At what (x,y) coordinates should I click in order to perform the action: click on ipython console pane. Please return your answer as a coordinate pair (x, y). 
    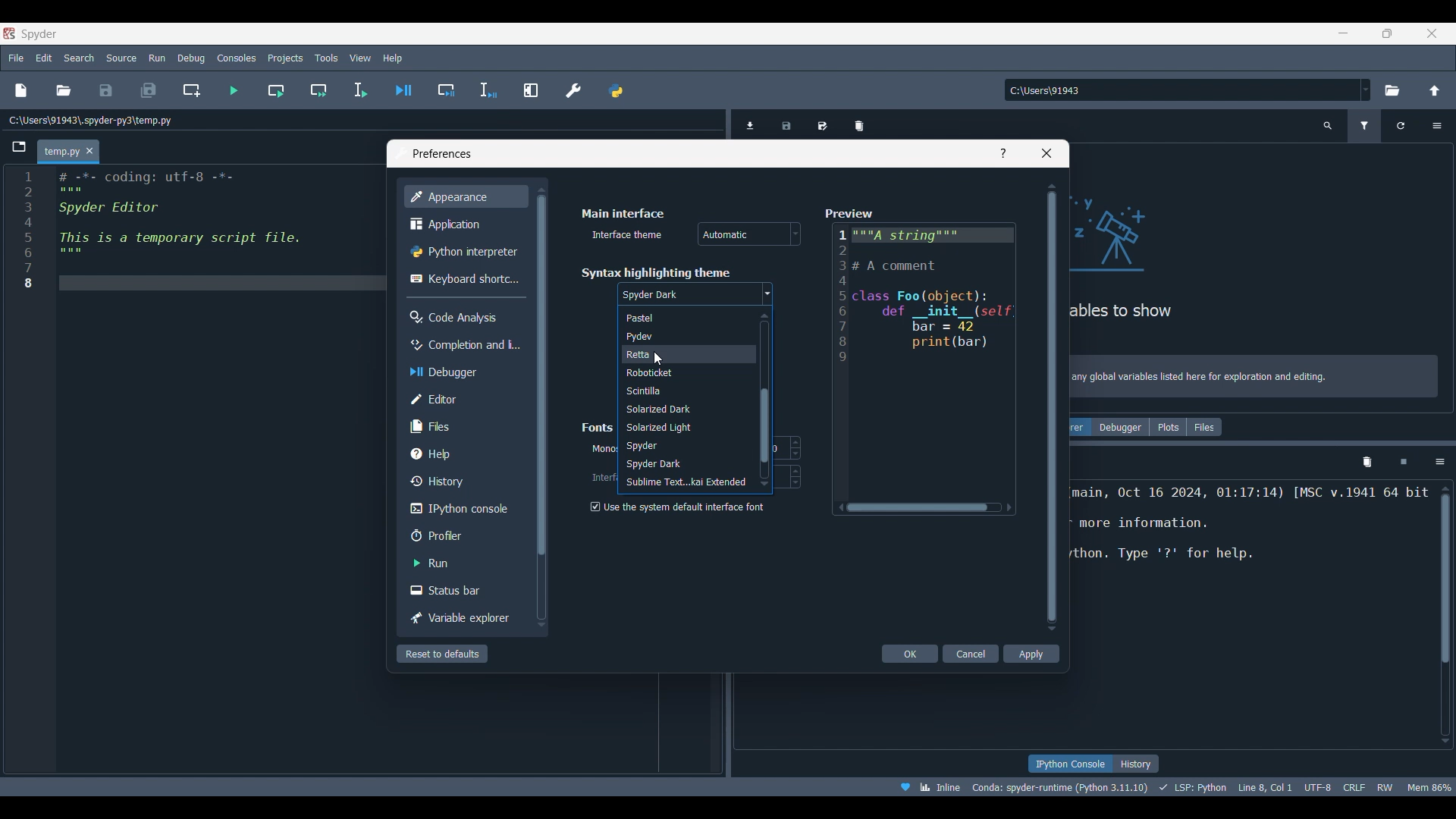
    Looking at the image, I should click on (1251, 538).